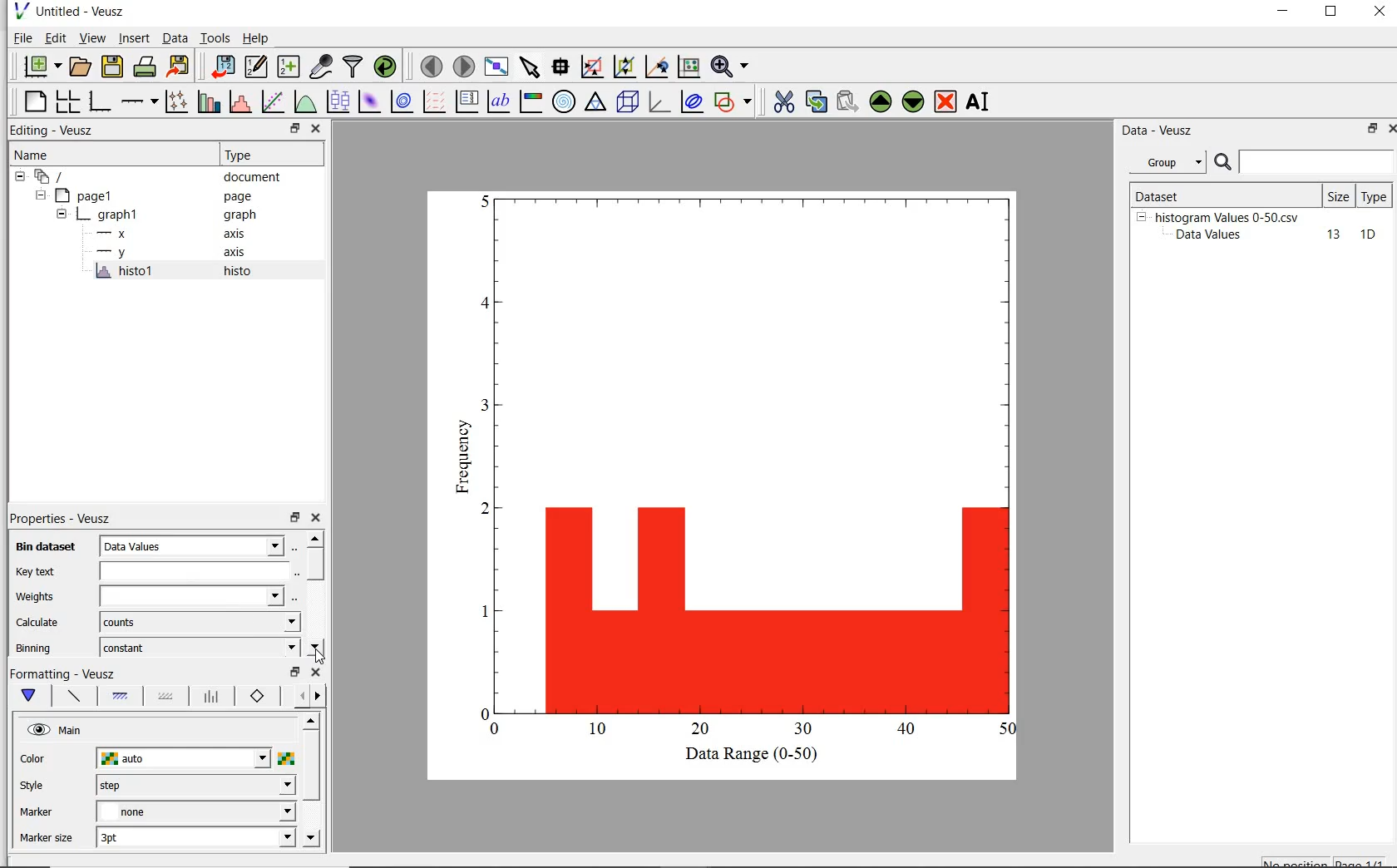 This screenshot has height=868, width=1397. I want to click on edit, so click(56, 37).